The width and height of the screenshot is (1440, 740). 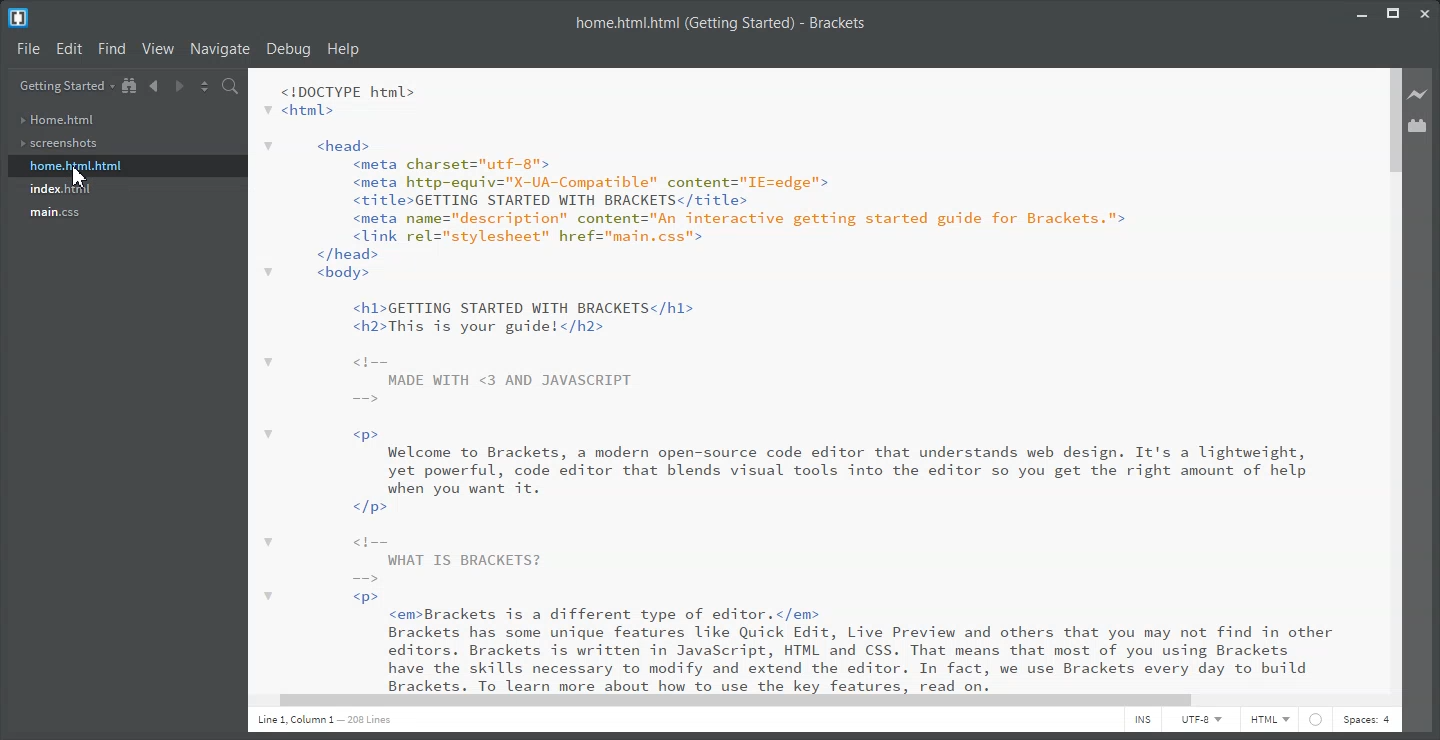 I want to click on Find, so click(x=113, y=48).